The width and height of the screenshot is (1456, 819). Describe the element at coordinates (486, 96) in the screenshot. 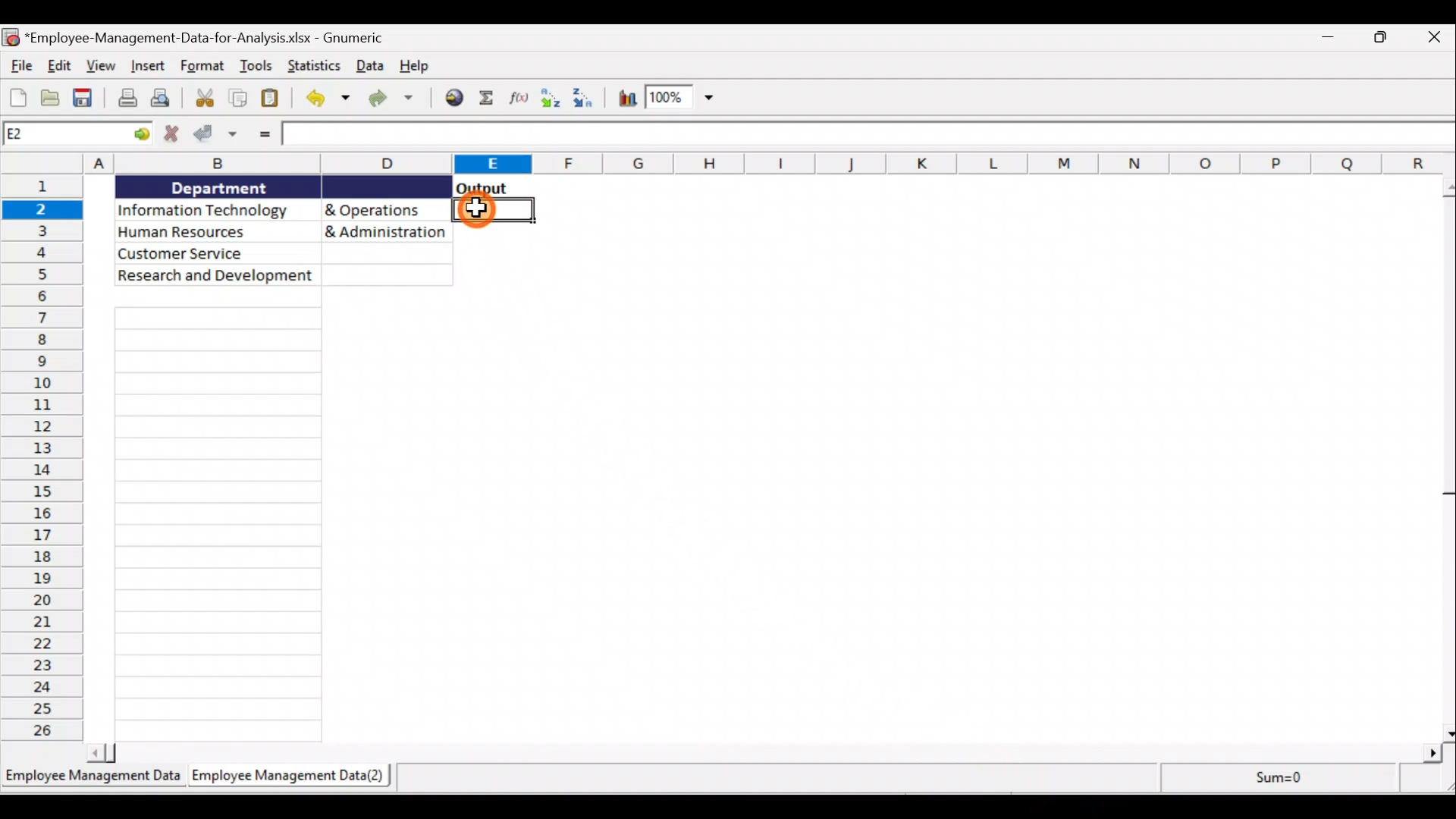

I see `Sum into current cell` at that location.